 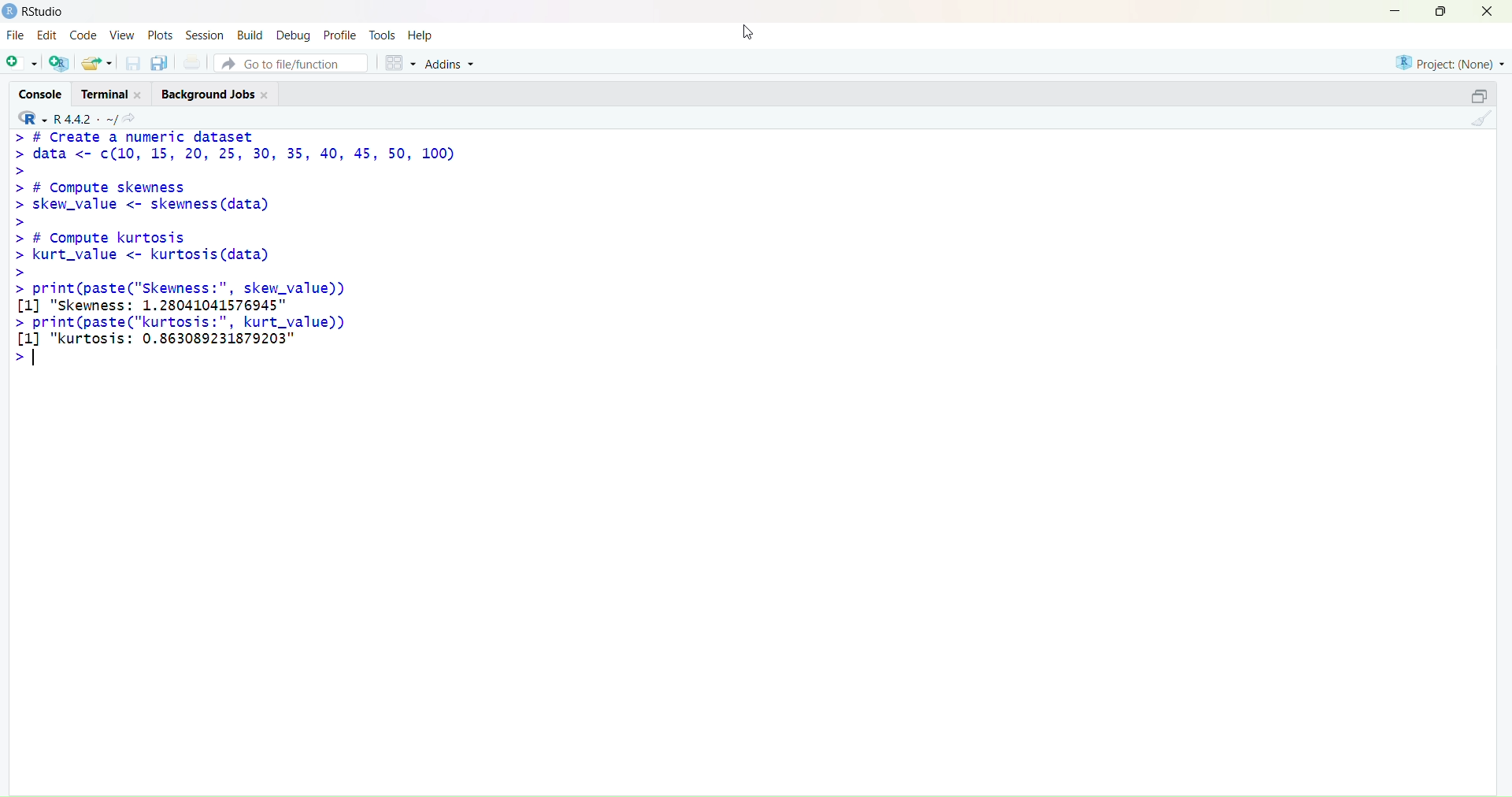 What do you see at coordinates (455, 63) in the screenshot?
I see `Addins` at bounding box center [455, 63].